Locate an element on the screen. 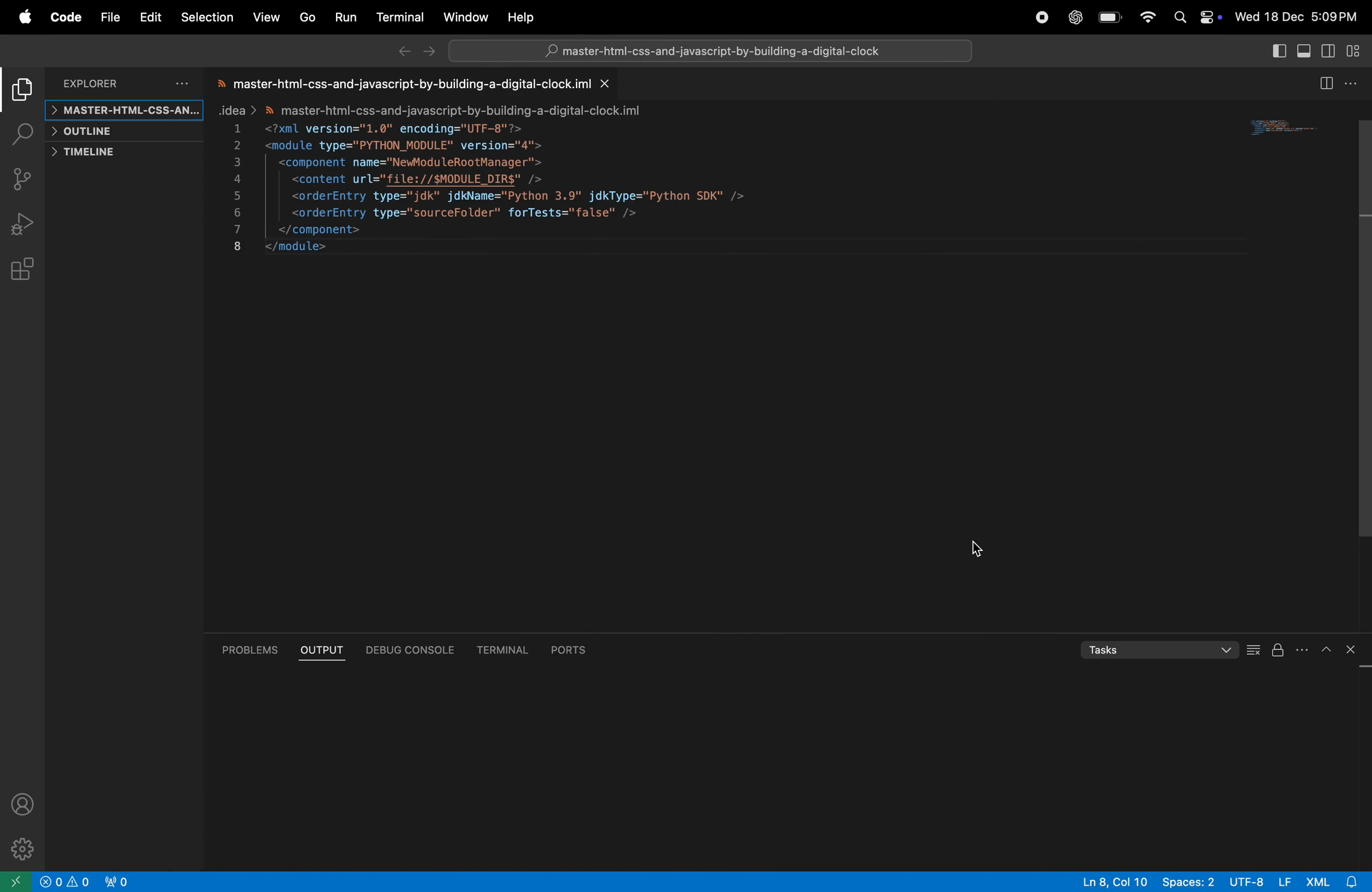 The image size is (1372, 892). Run is located at coordinates (344, 18).